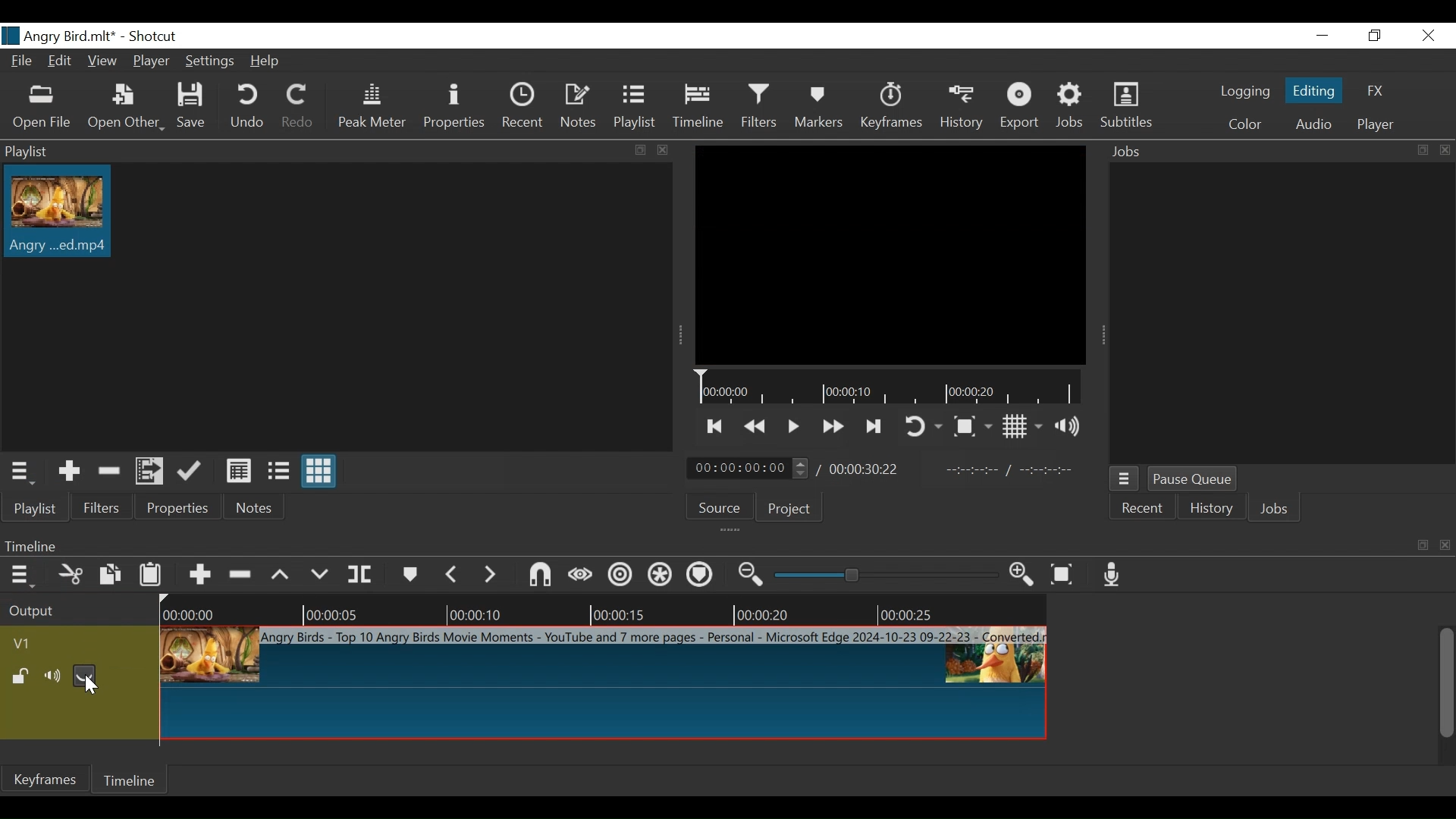 This screenshot has width=1456, height=819. What do you see at coordinates (718, 507) in the screenshot?
I see `Source` at bounding box center [718, 507].